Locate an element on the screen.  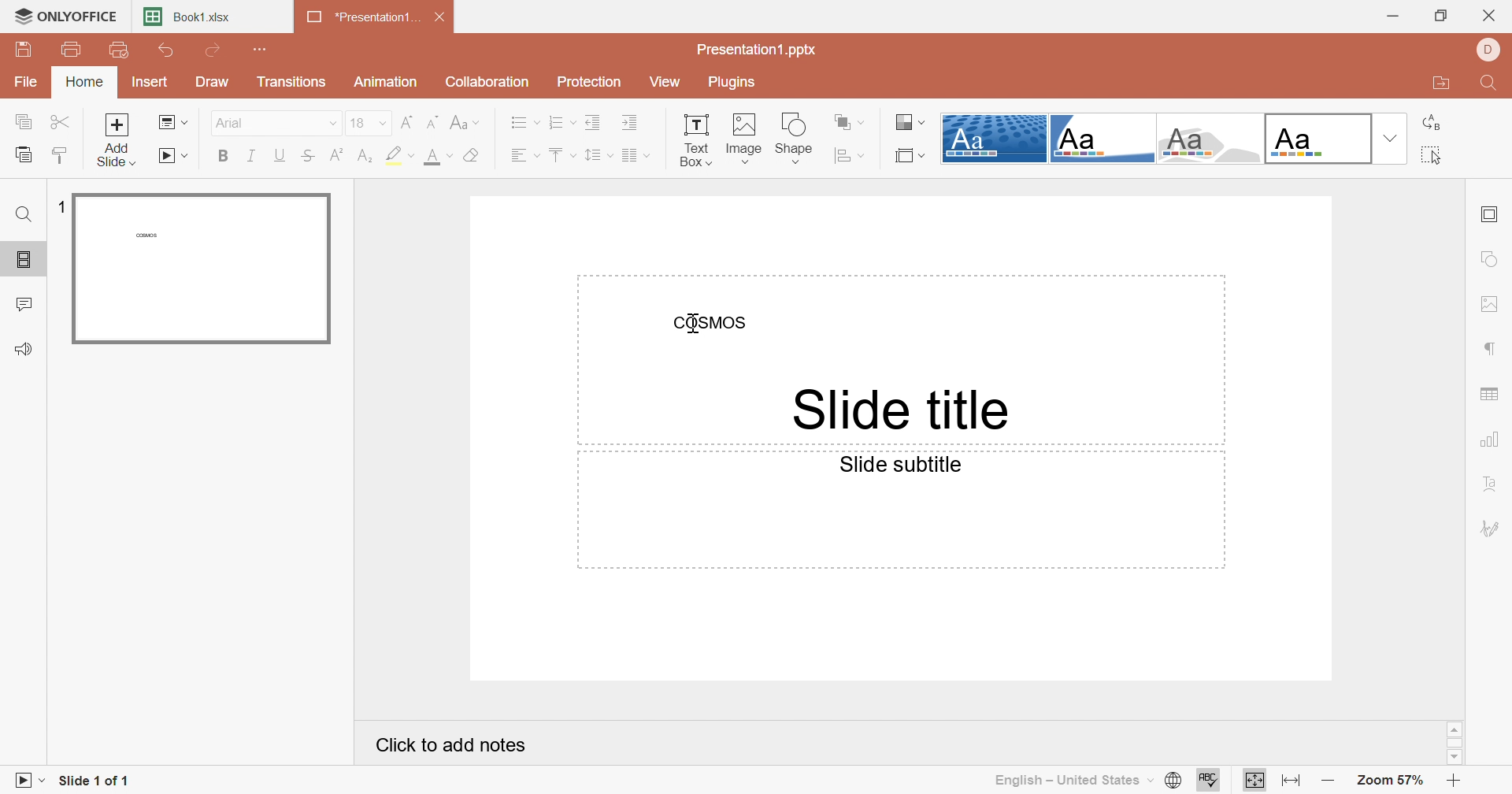
Customize Quick Access Toolbar is located at coordinates (259, 50).